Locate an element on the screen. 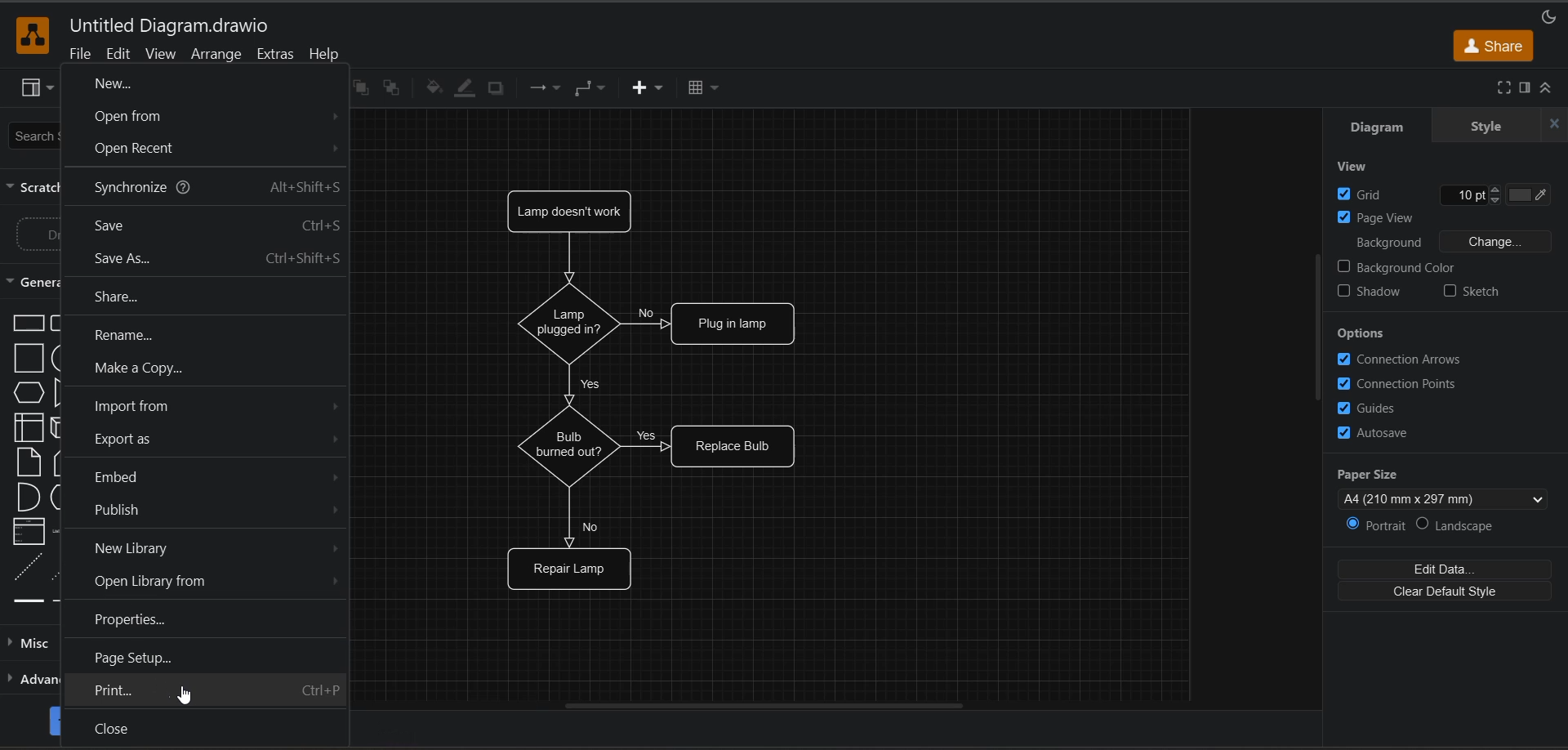  background color is located at coordinates (1416, 266).